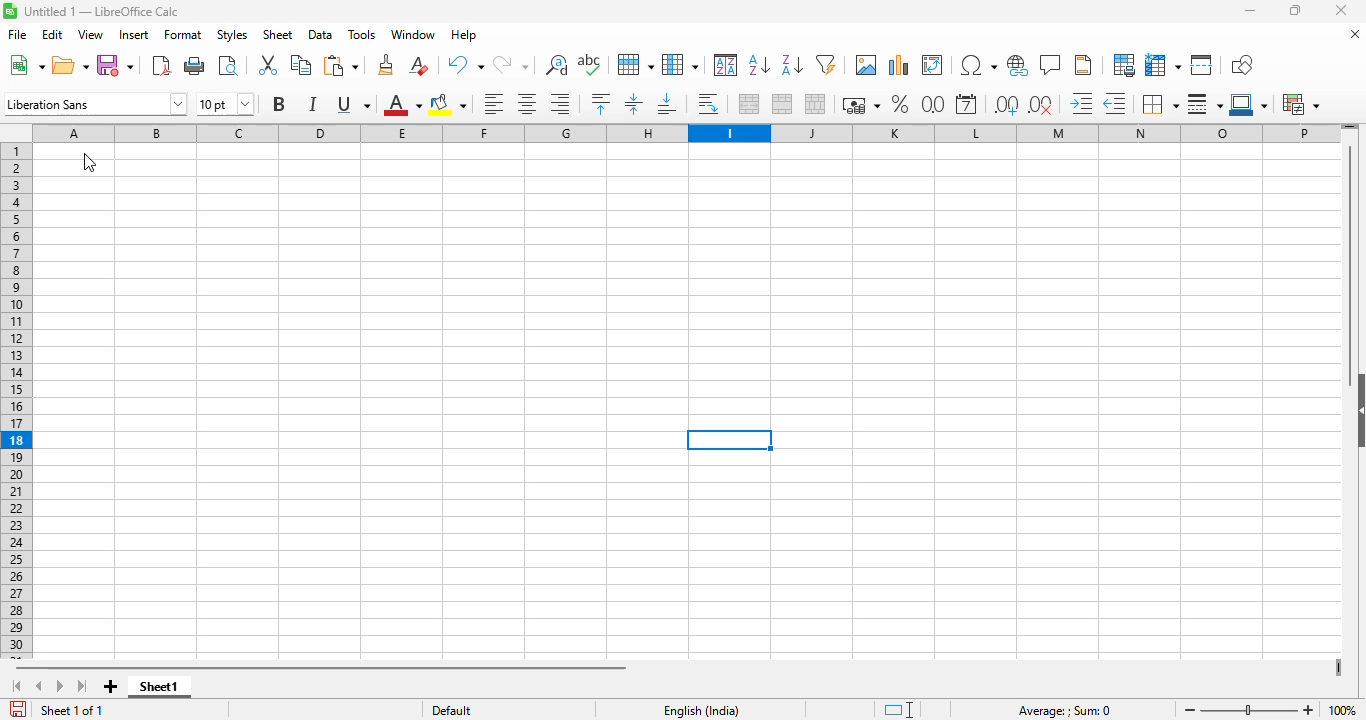 The width and height of the screenshot is (1366, 720). Describe the element at coordinates (633, 104) in the screenshot. I see `center vertically` at that location.